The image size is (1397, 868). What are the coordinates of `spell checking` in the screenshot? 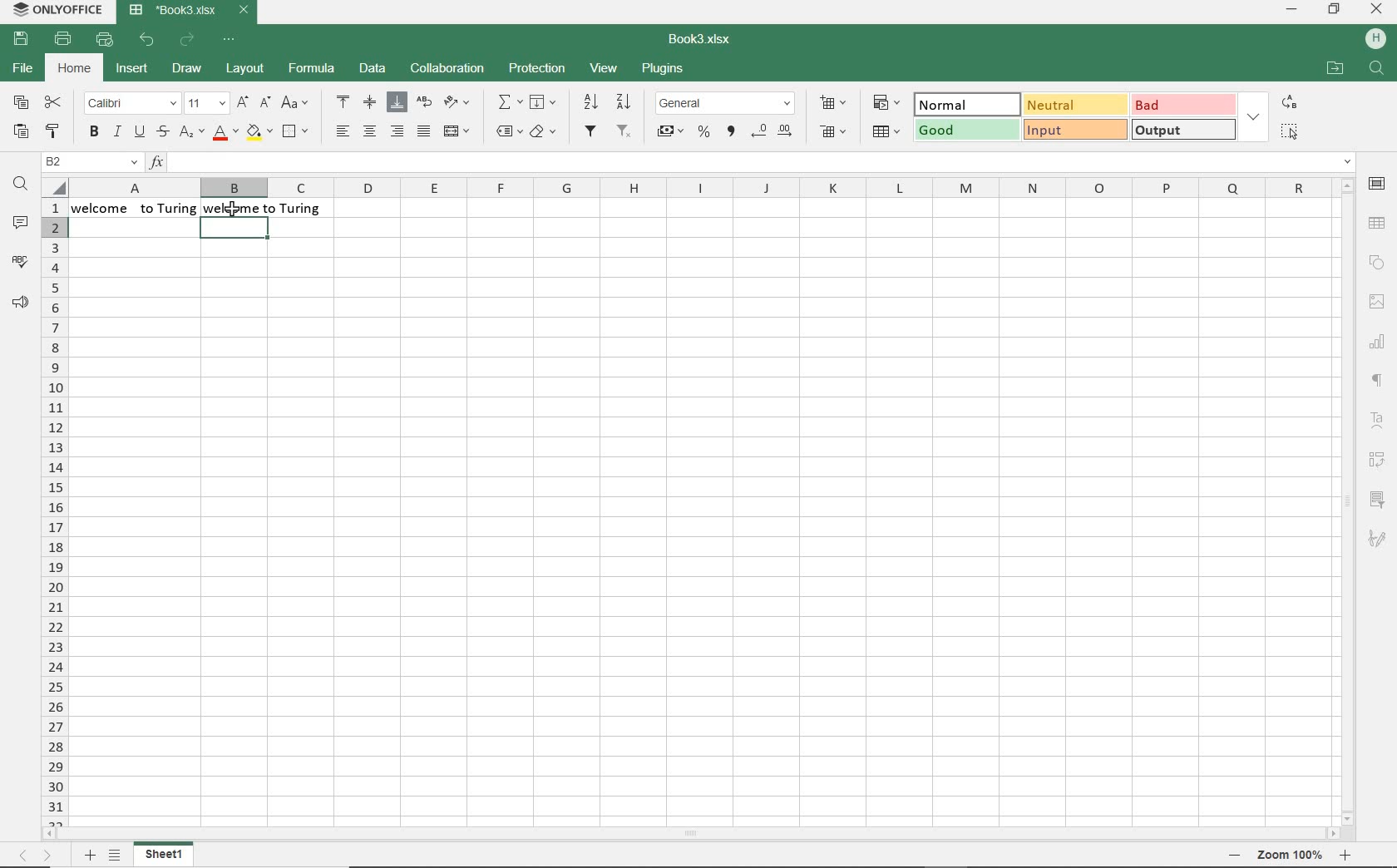 It's located at (21, 263).